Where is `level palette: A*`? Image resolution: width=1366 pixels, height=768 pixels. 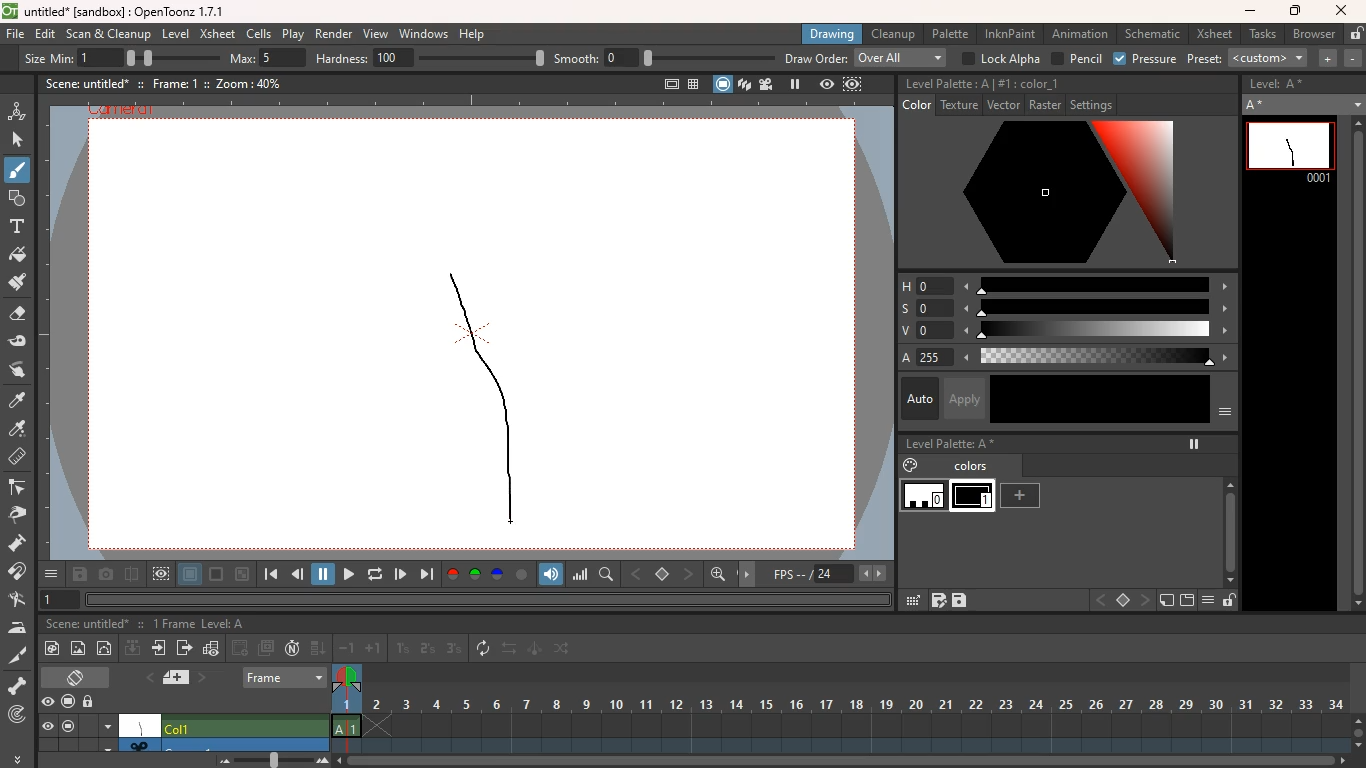
level palette: A* is located at coordinates (950, 445).